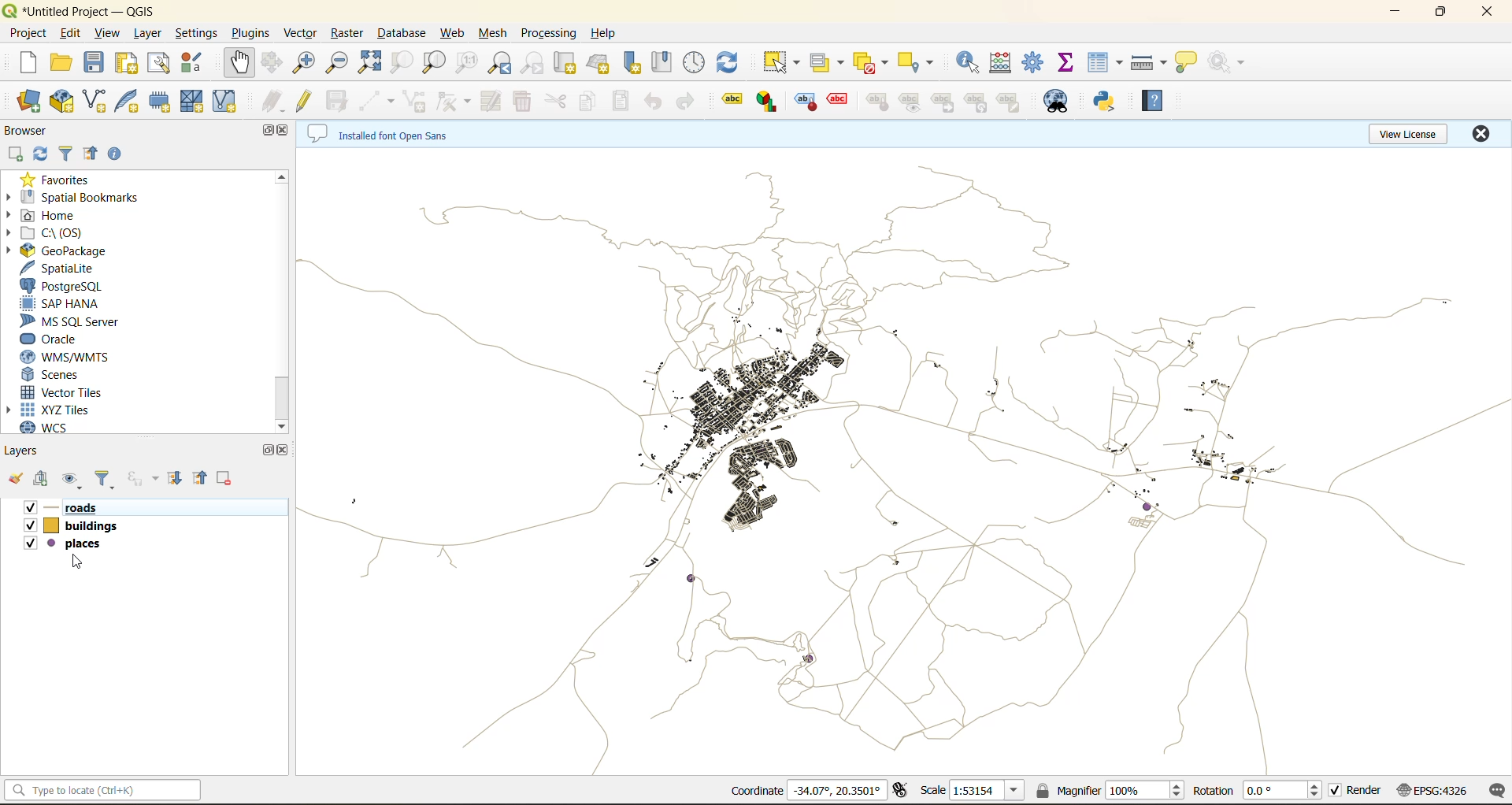  I want to click on zoom selection, so click(402, 63).